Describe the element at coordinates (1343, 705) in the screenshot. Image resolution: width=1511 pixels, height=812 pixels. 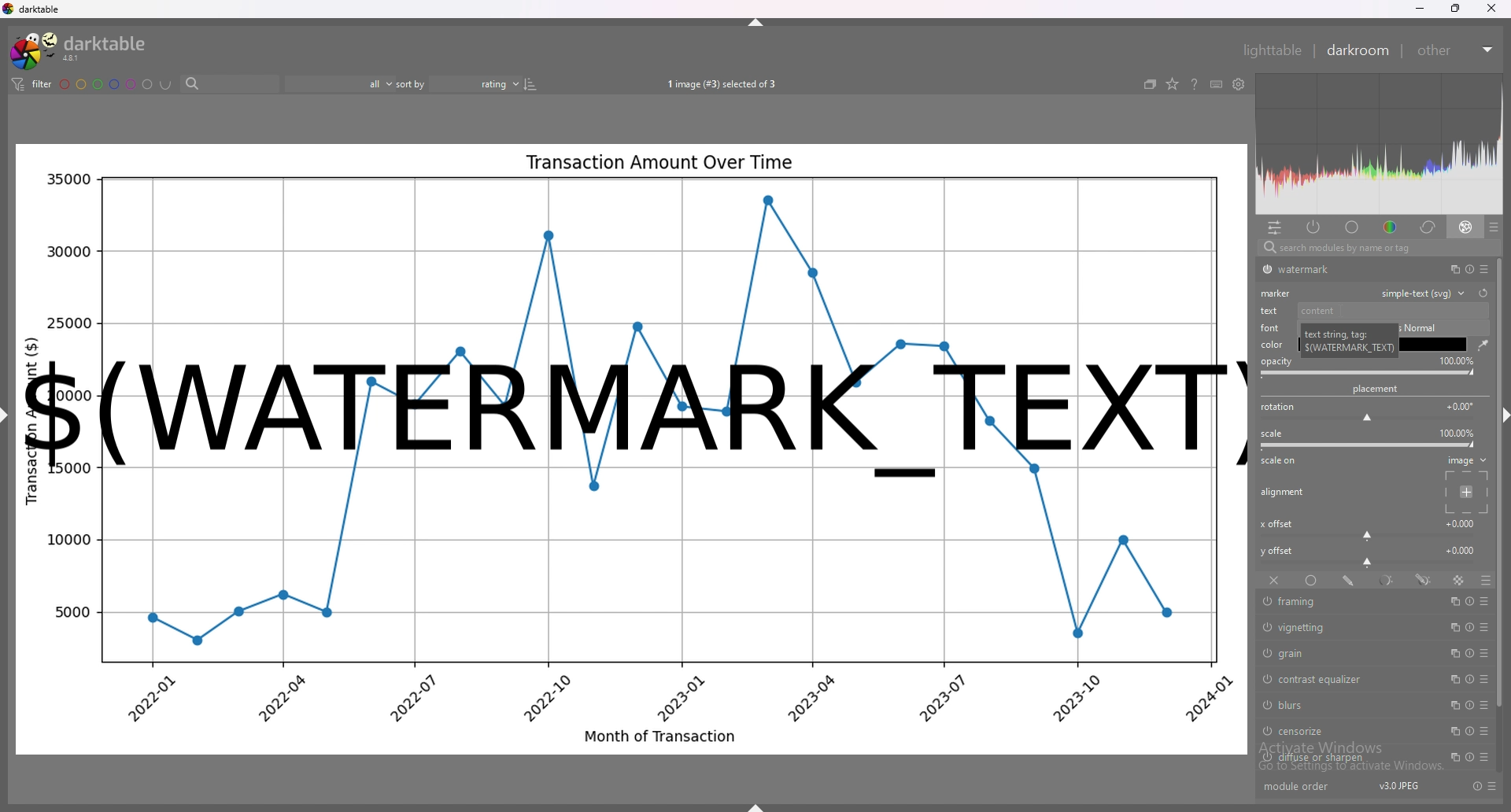
I see `blurs` at that location.